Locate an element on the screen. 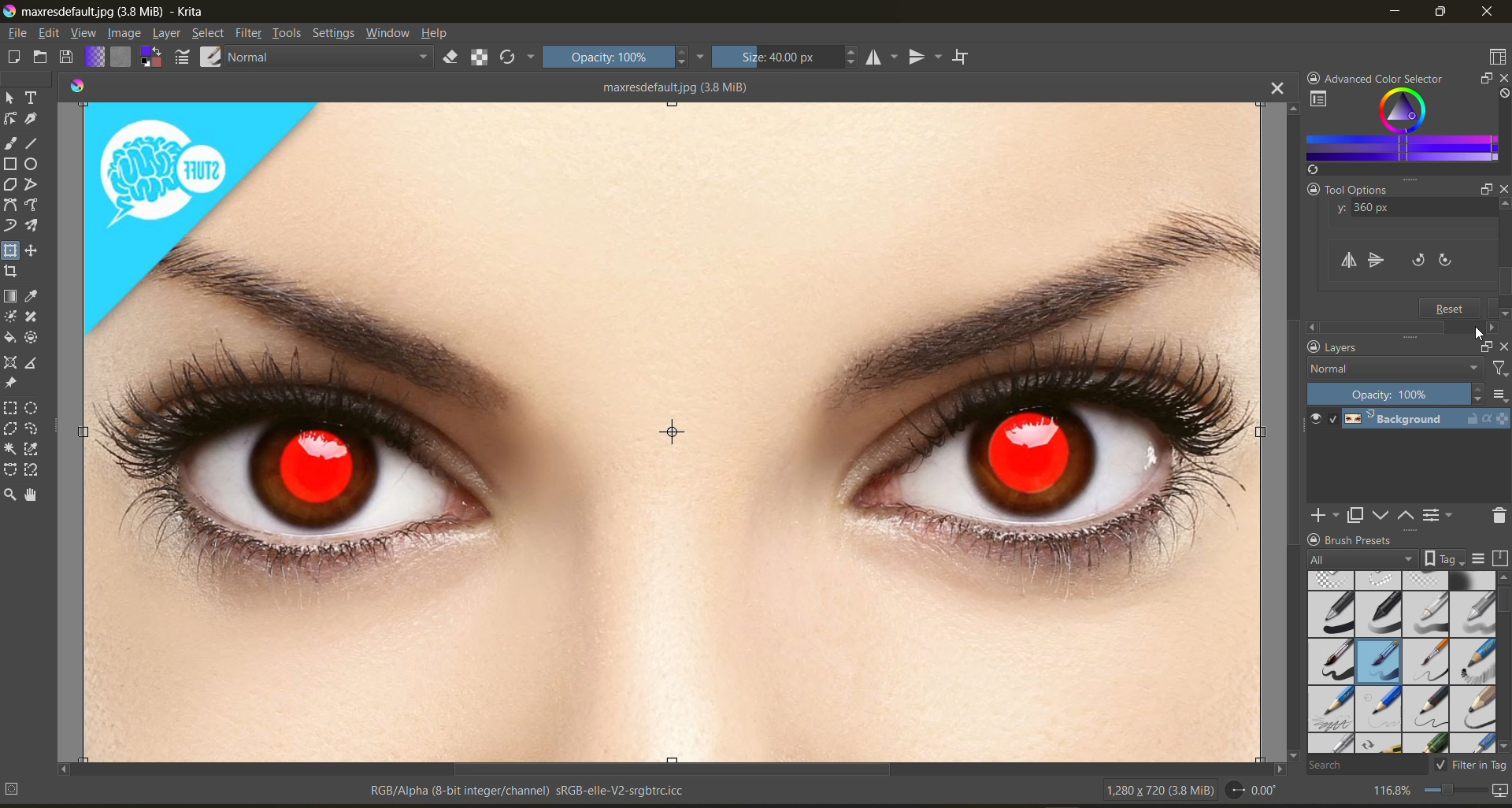  horizontal mirror tool is located at coordinates (883, 57).